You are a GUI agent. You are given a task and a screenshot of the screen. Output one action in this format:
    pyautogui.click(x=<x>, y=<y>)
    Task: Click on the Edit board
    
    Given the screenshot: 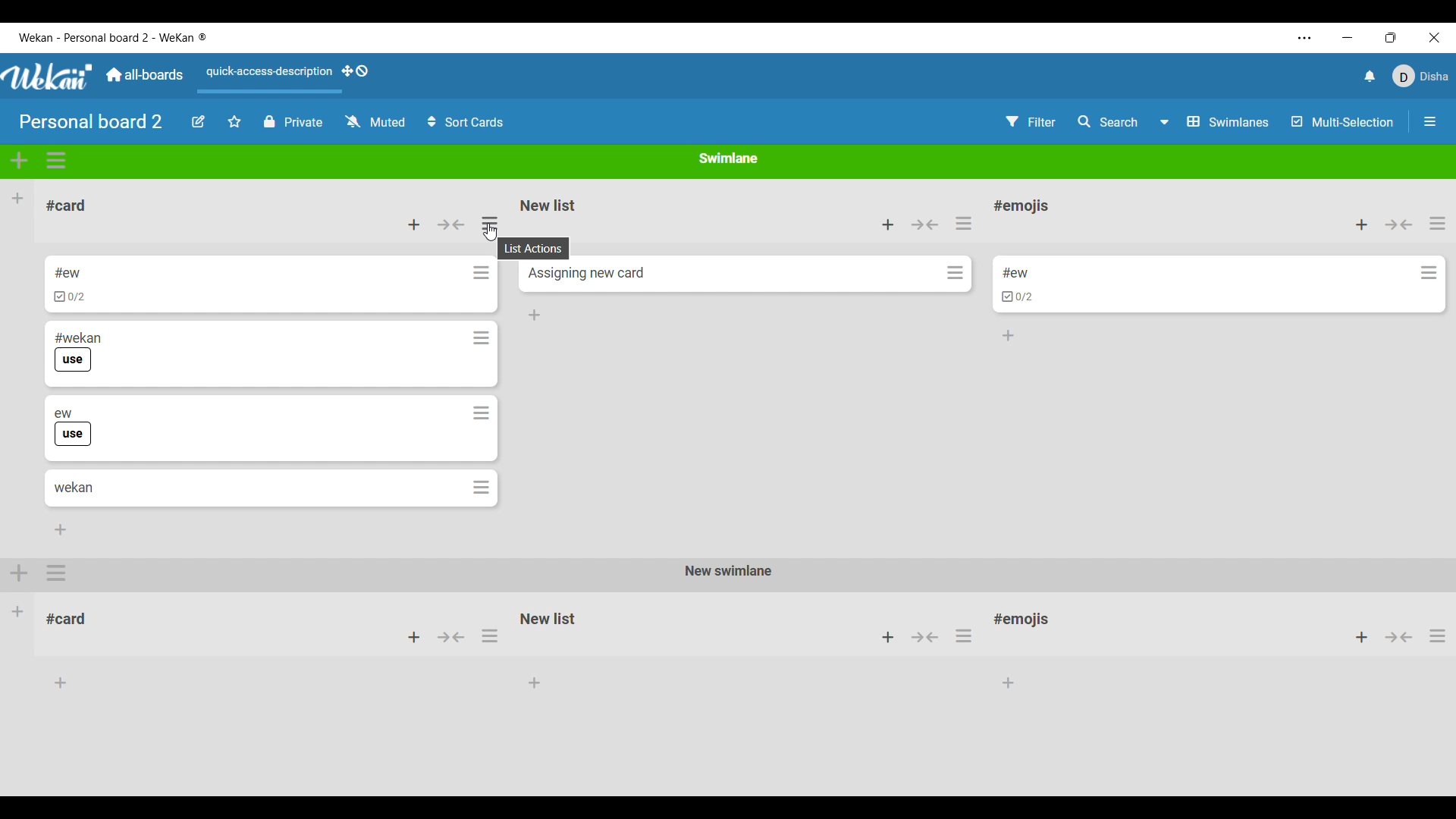 What is the action you would take?
    pyautogui.click(x=198, y=122)
    